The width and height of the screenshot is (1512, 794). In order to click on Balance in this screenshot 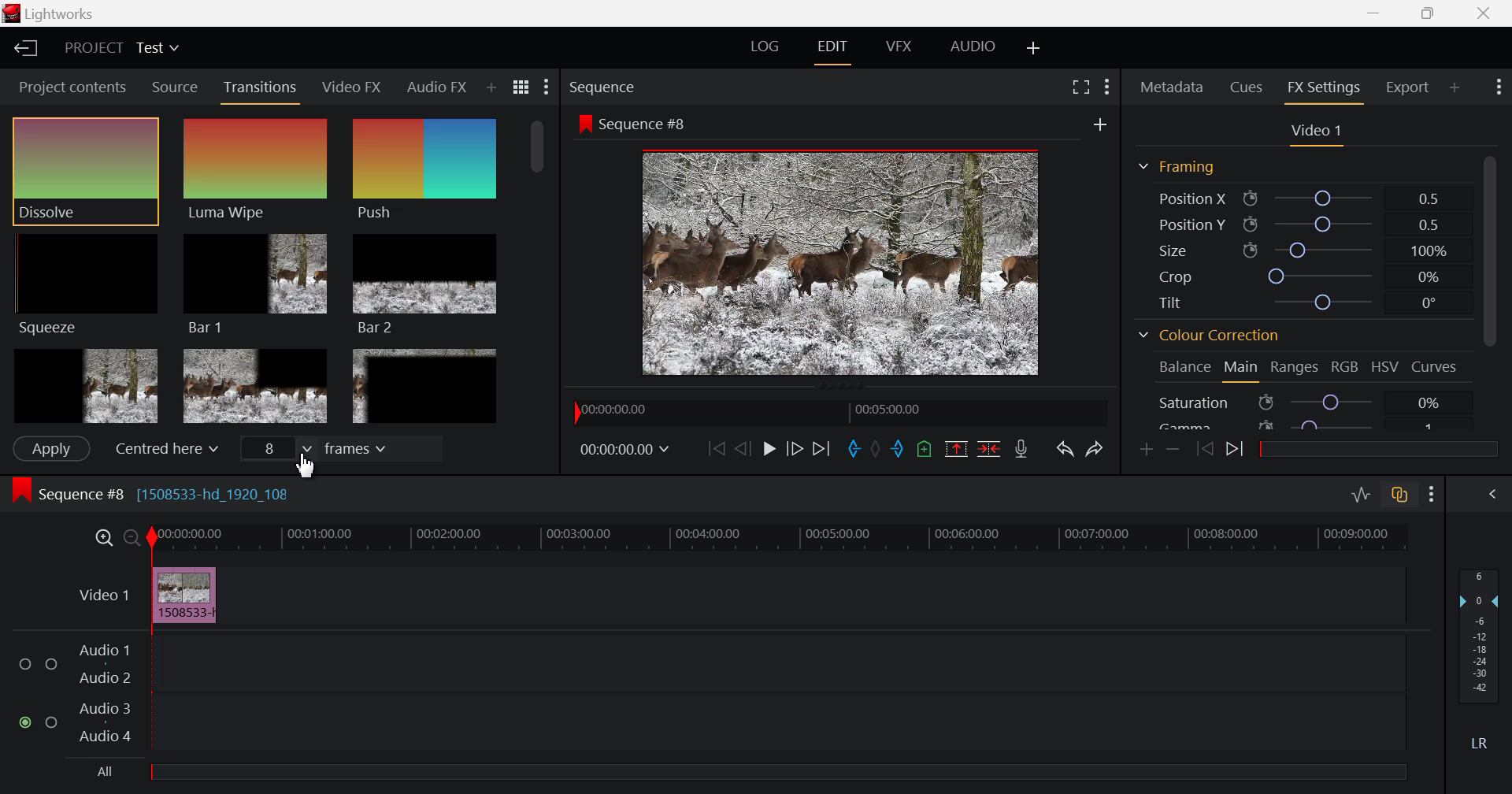, I will do `click(1182, 369)`.